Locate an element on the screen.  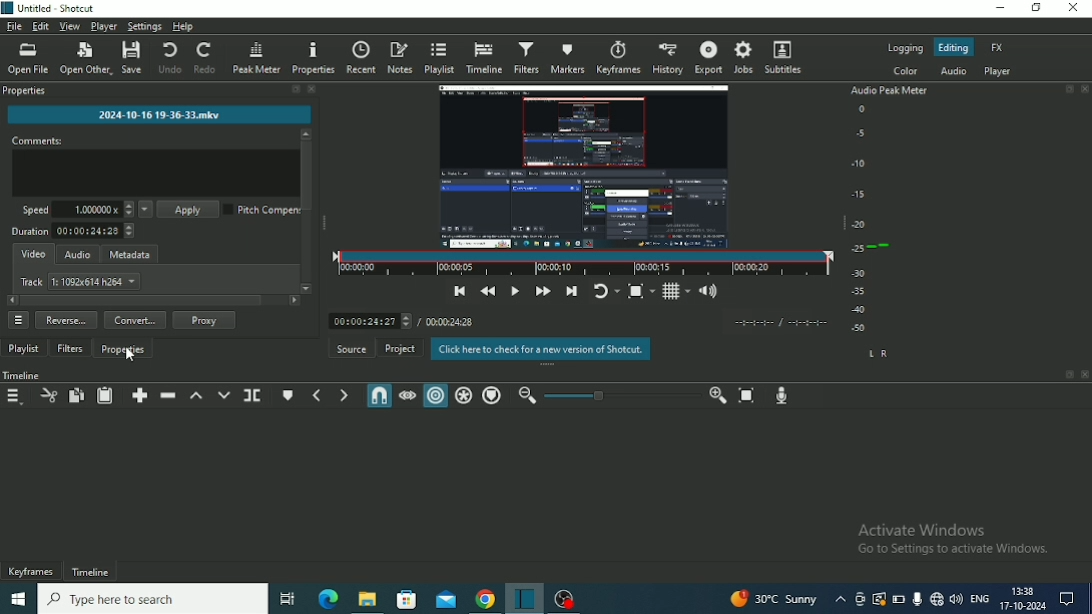
Export is located at coordinates (708, 57).